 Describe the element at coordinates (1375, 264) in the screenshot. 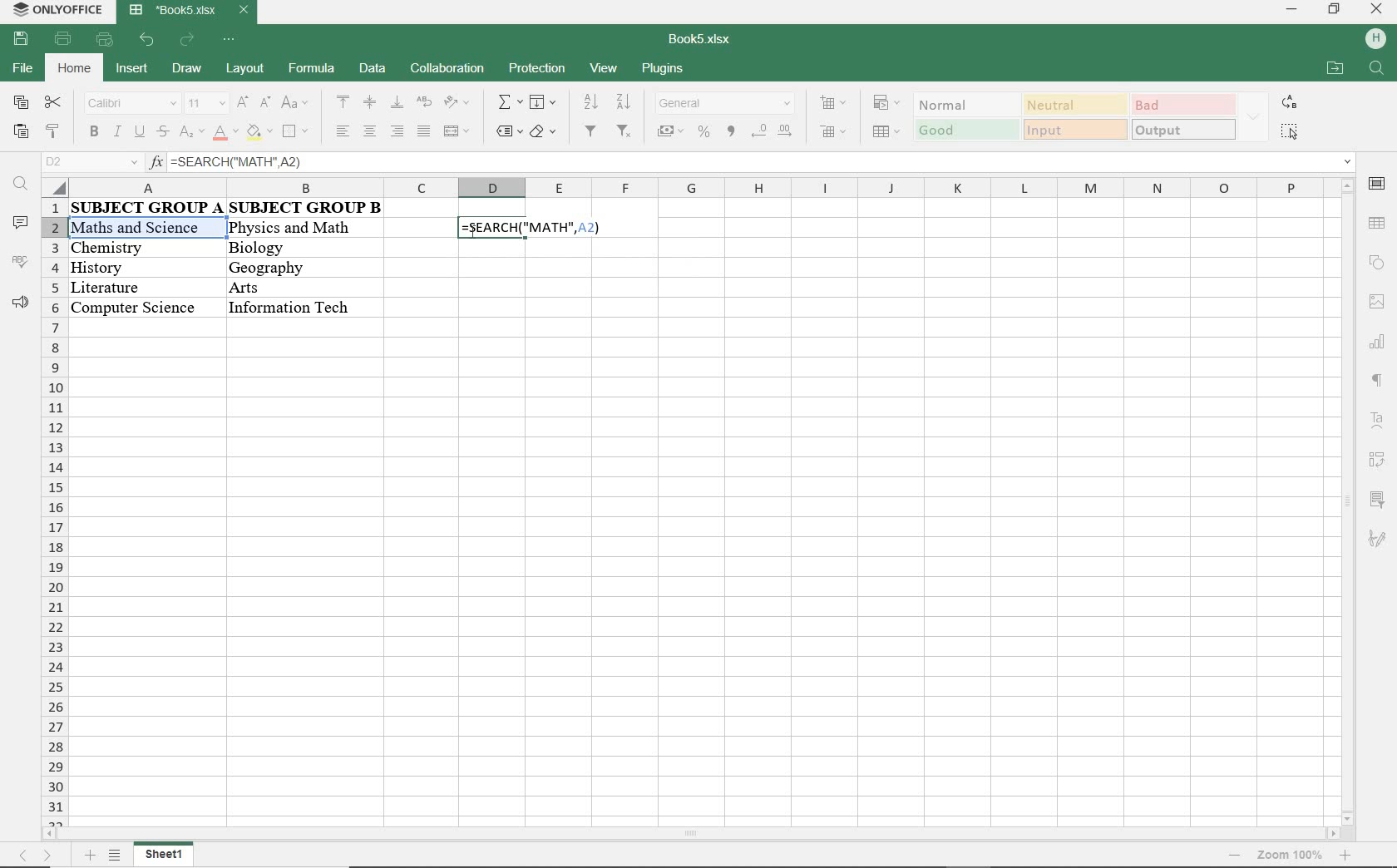

I see `sign` at that location.